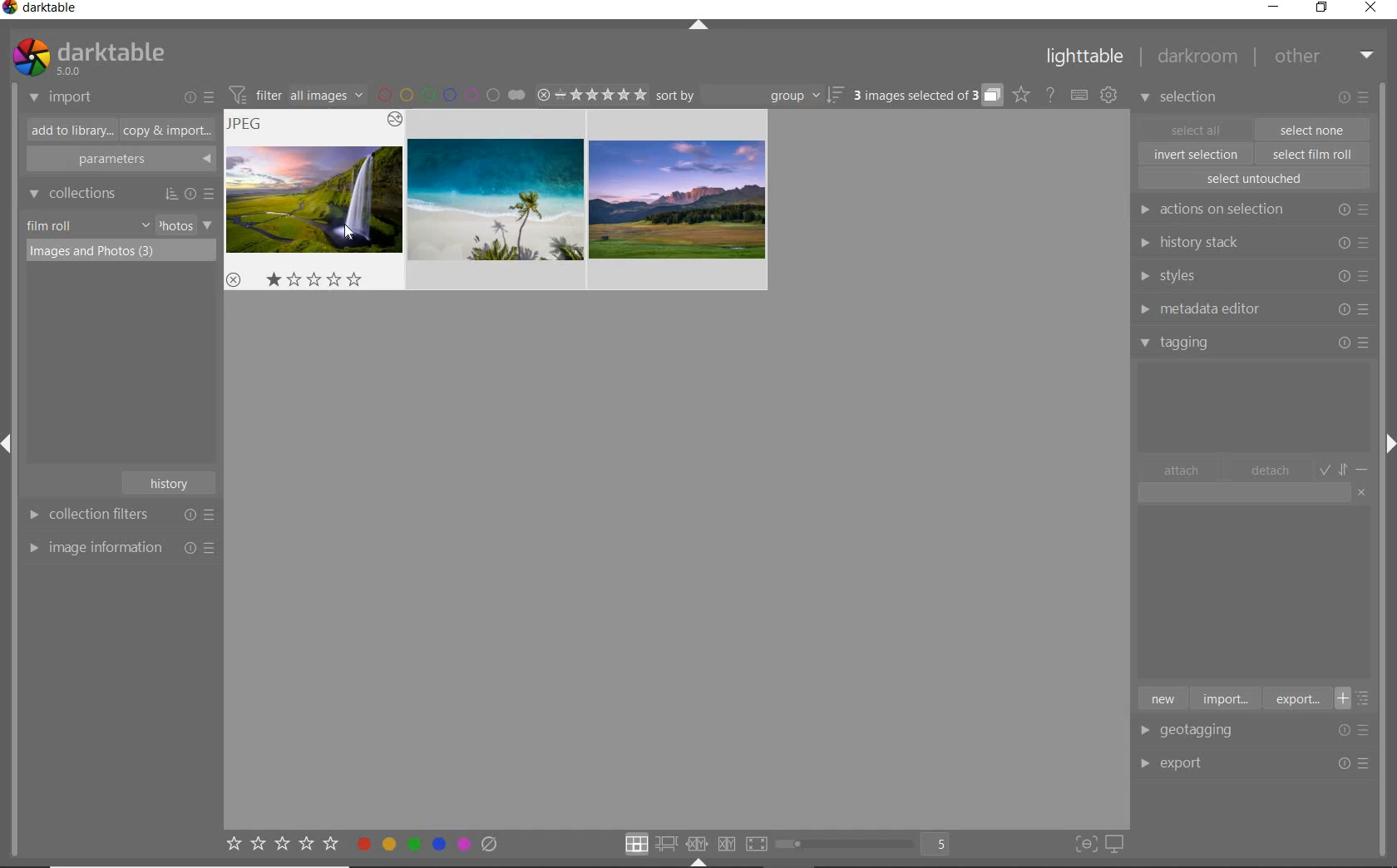 Image resolution: width=1397 pixels, height=868 pixels. What do you see at coordinates (121, 547) in the screenshot?
I see `image information` at bounding box center [121, 547].